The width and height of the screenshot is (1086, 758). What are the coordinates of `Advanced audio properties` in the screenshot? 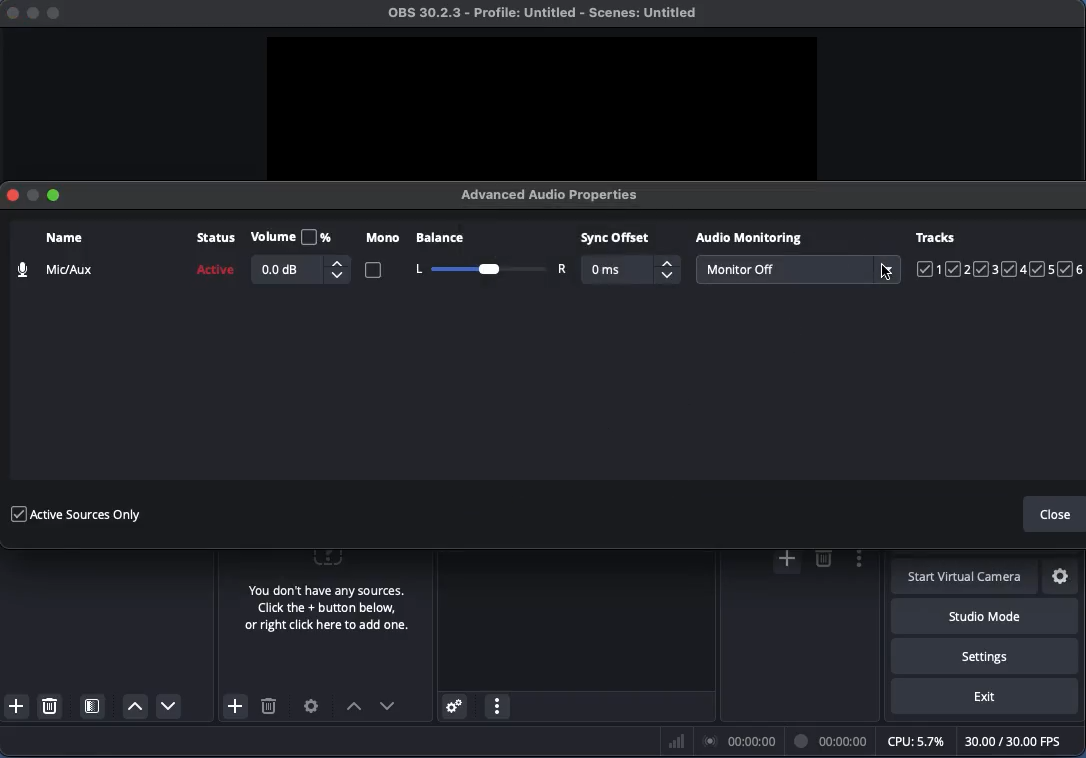 It's located at (555, 194).